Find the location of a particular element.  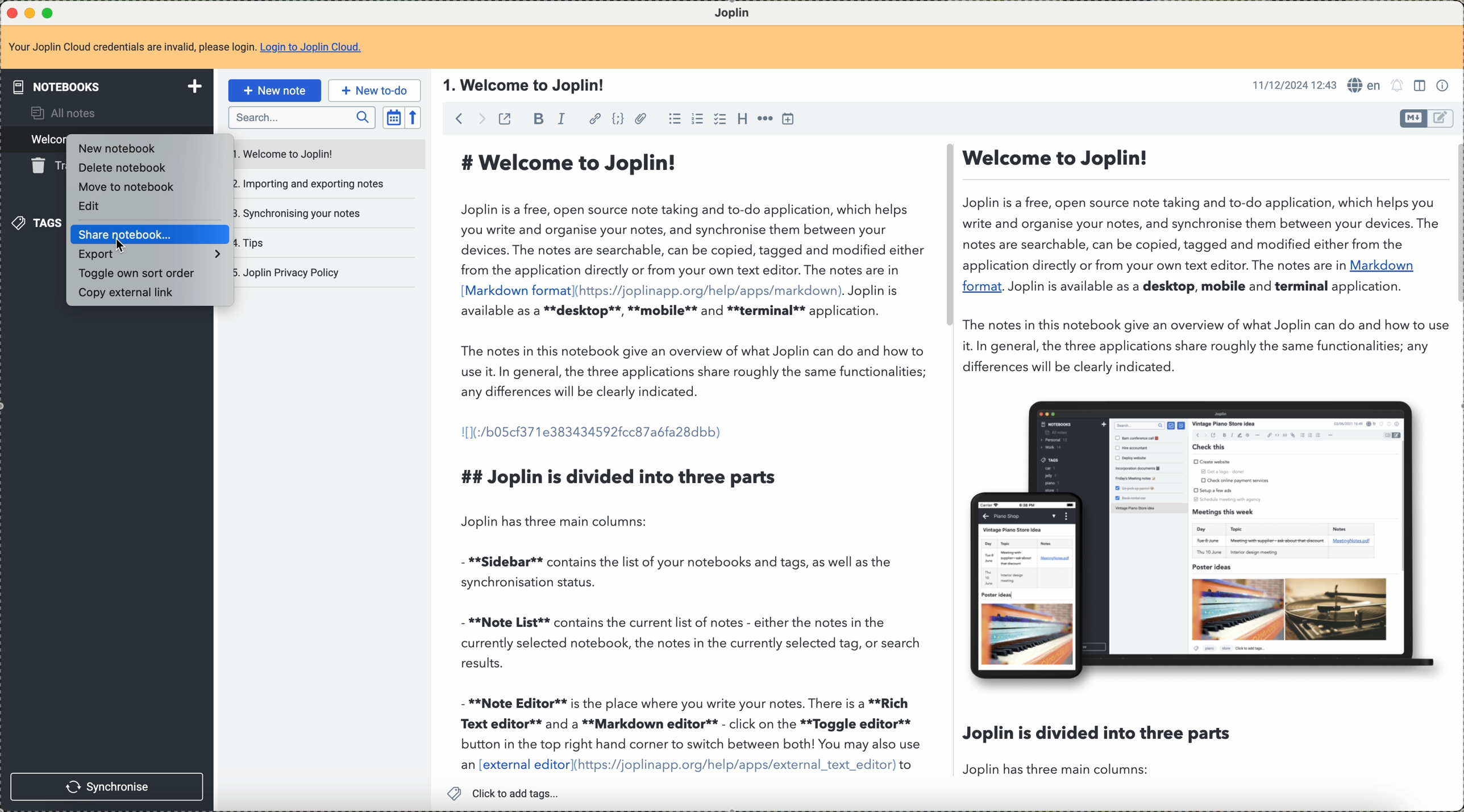

click to add tags is located at coordinates (509, 793).